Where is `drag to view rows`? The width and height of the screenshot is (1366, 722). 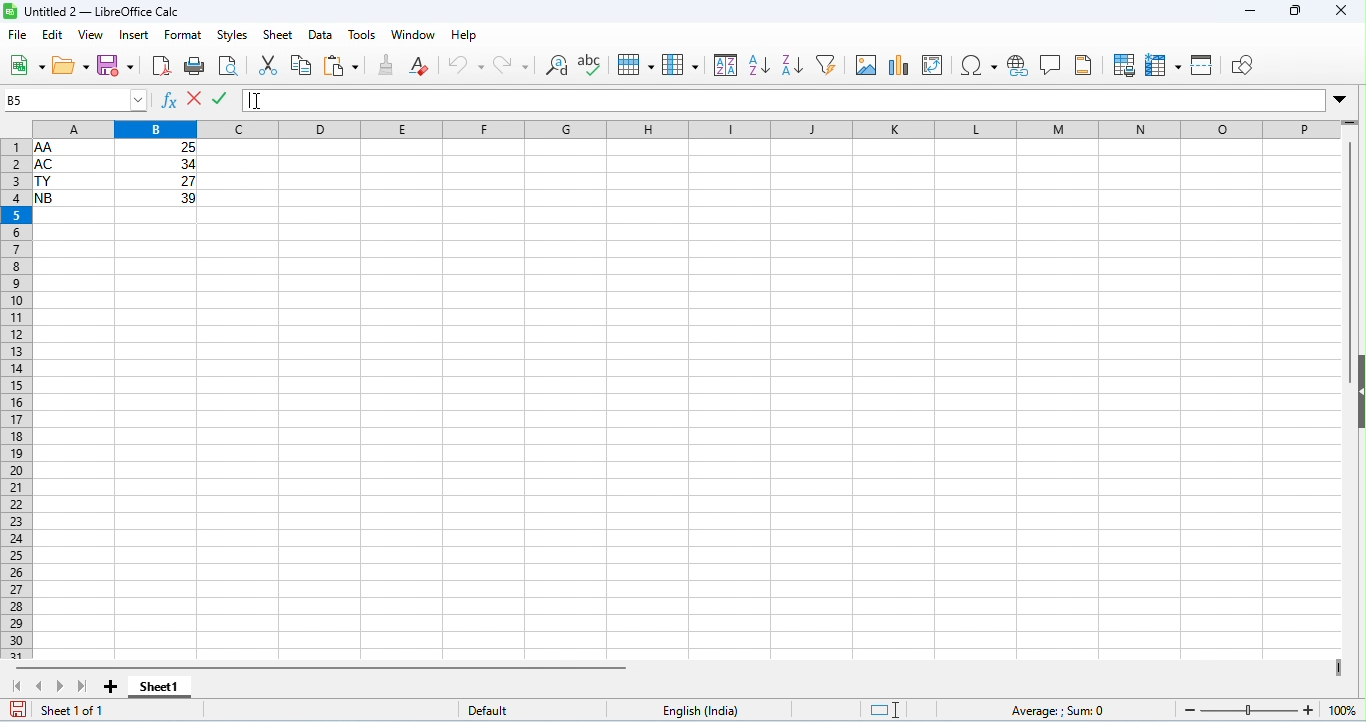 drag to view rows is located at coordinates (1349, 123).